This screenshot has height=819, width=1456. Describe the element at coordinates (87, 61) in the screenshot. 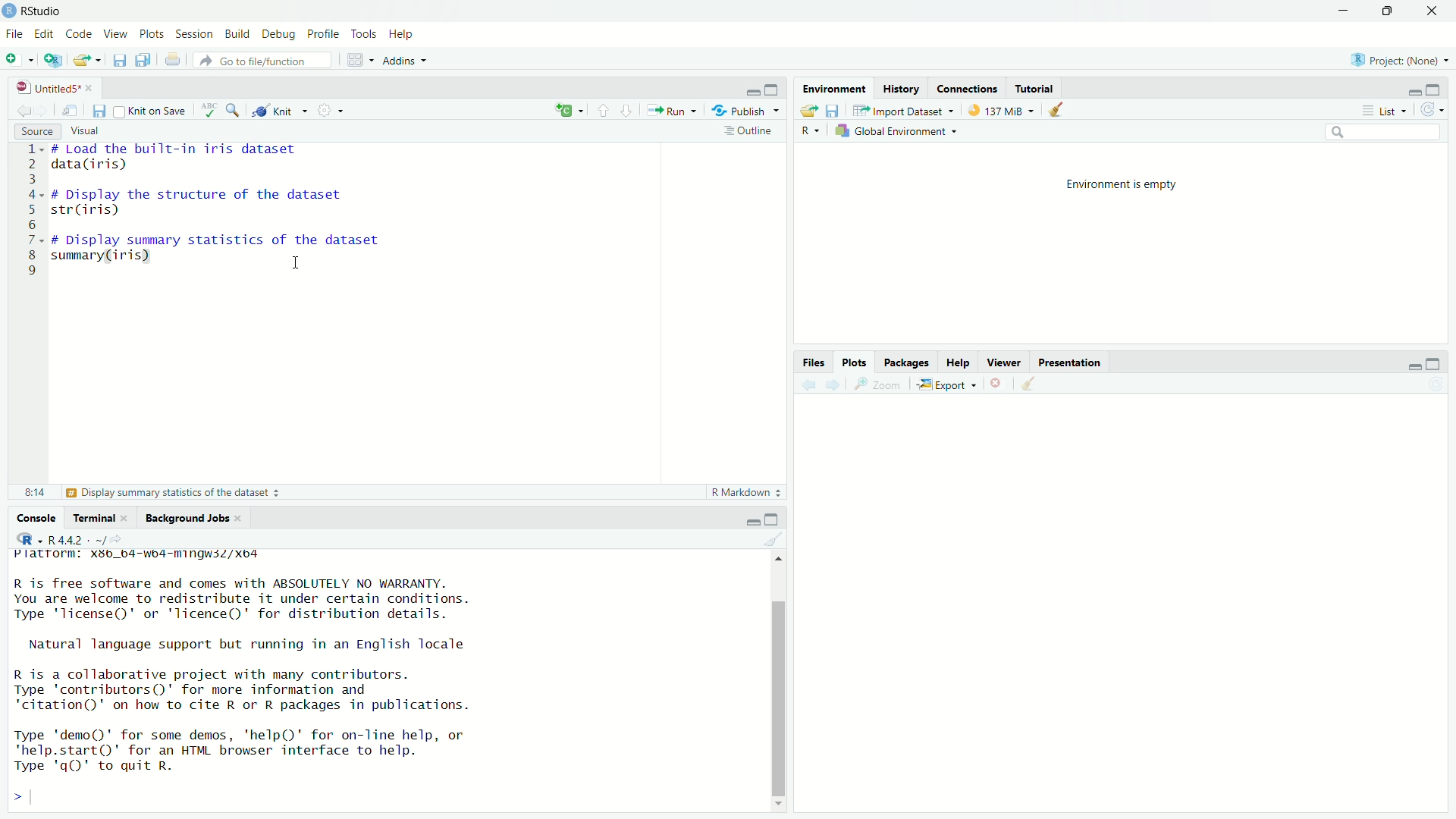

I see `Open an existing file` at that location.